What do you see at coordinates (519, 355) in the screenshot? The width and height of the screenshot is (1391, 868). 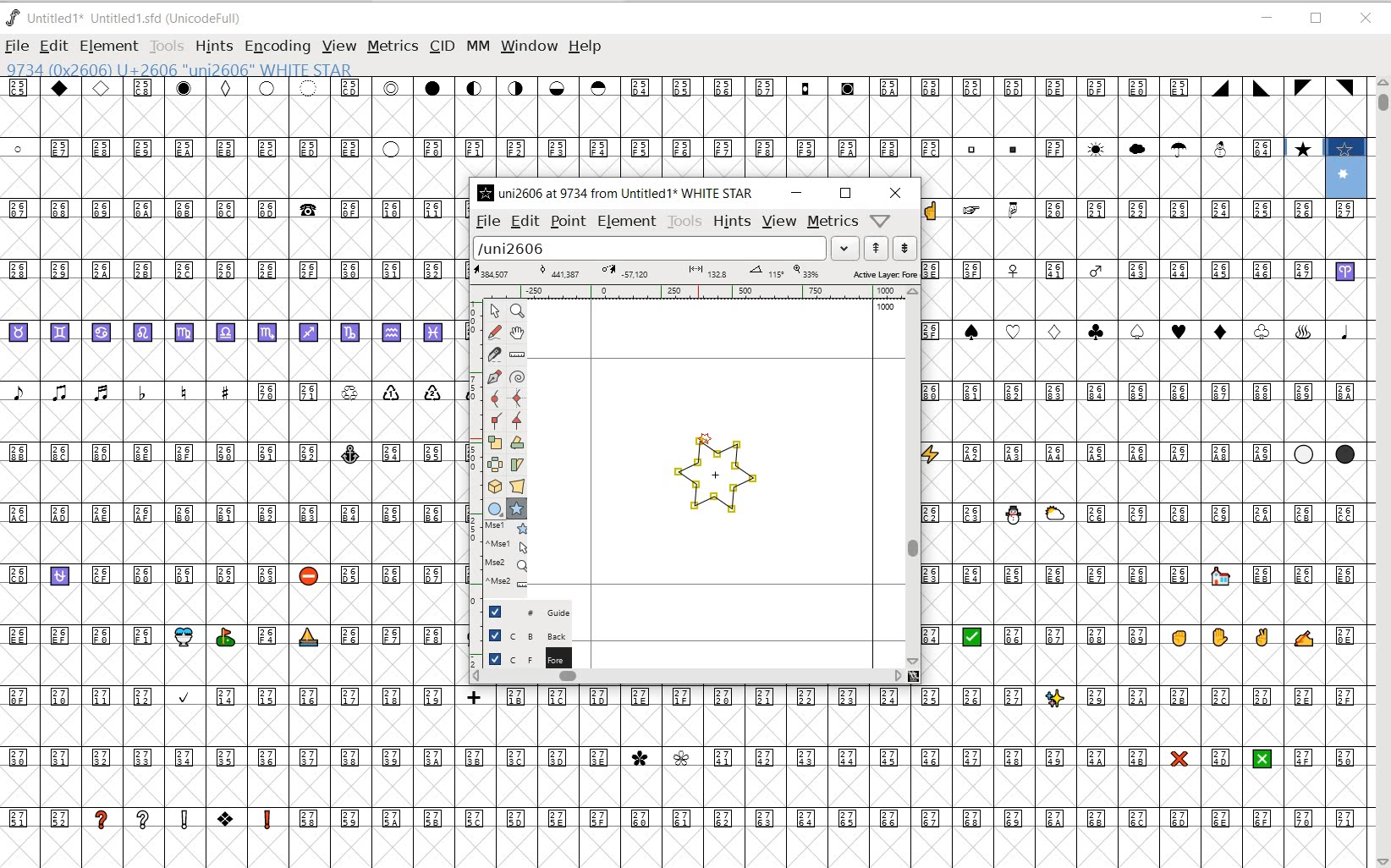 I see `MEASURE DISTANCE ` at bounding box center [519, 355].